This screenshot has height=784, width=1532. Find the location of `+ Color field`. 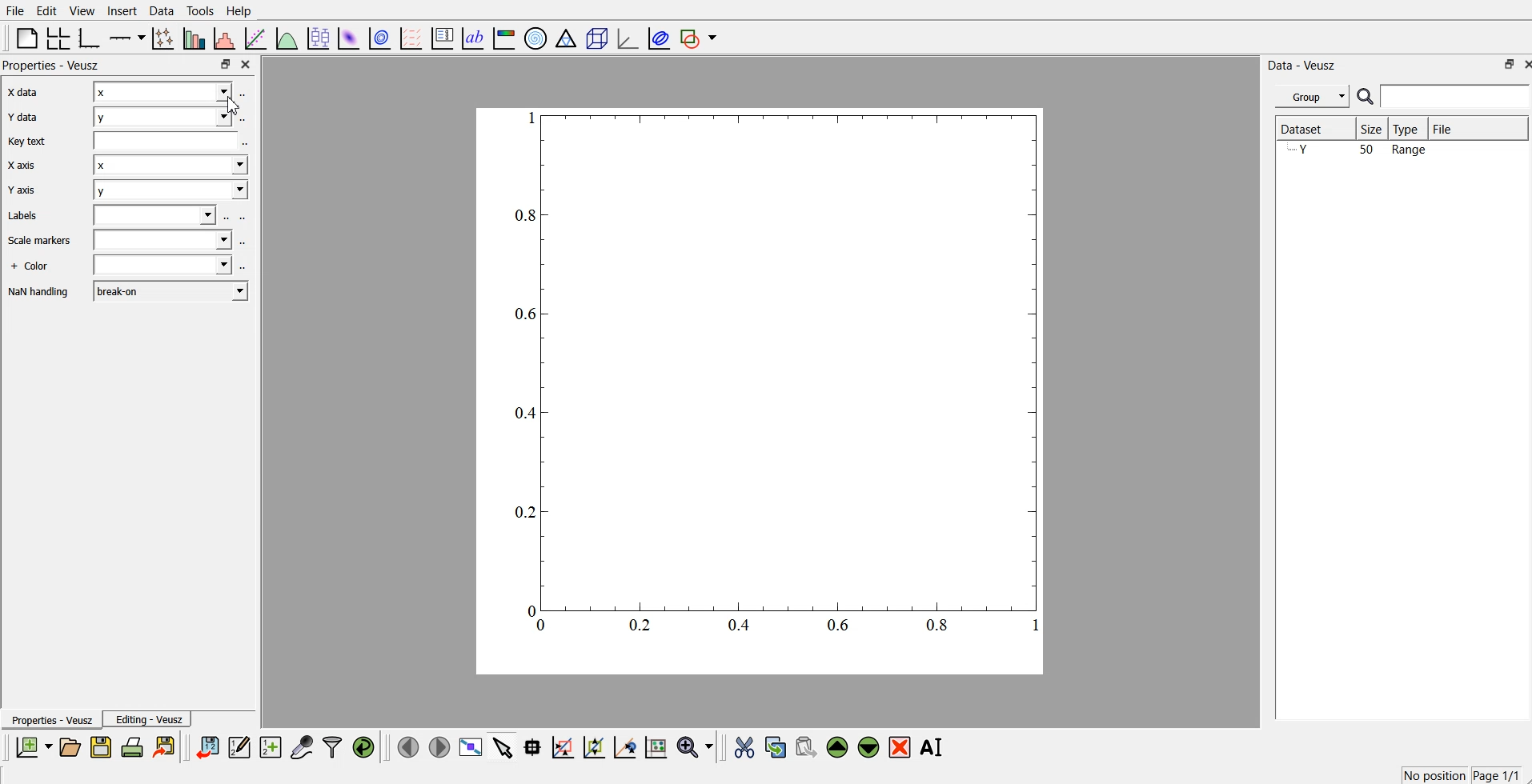

+ Color field is located at coordinates (164, 266).